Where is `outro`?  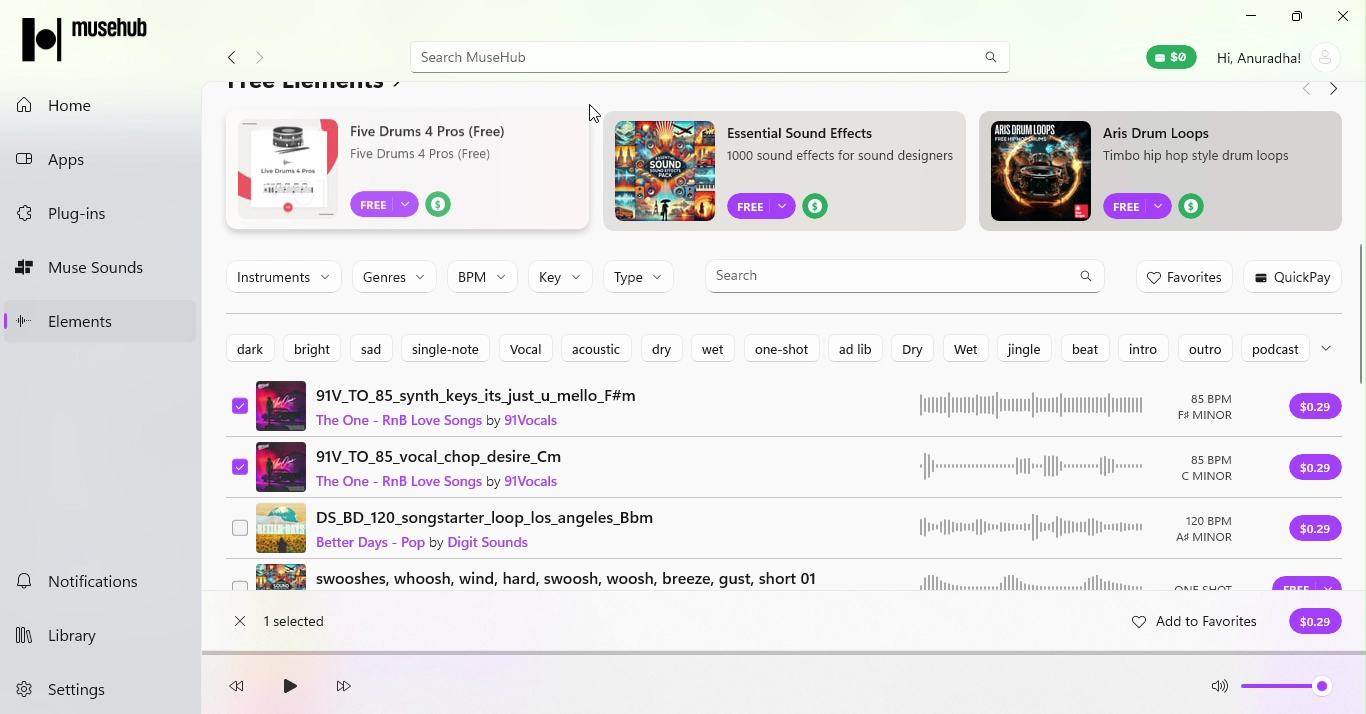 outro is located at coordinates (1204, 348).